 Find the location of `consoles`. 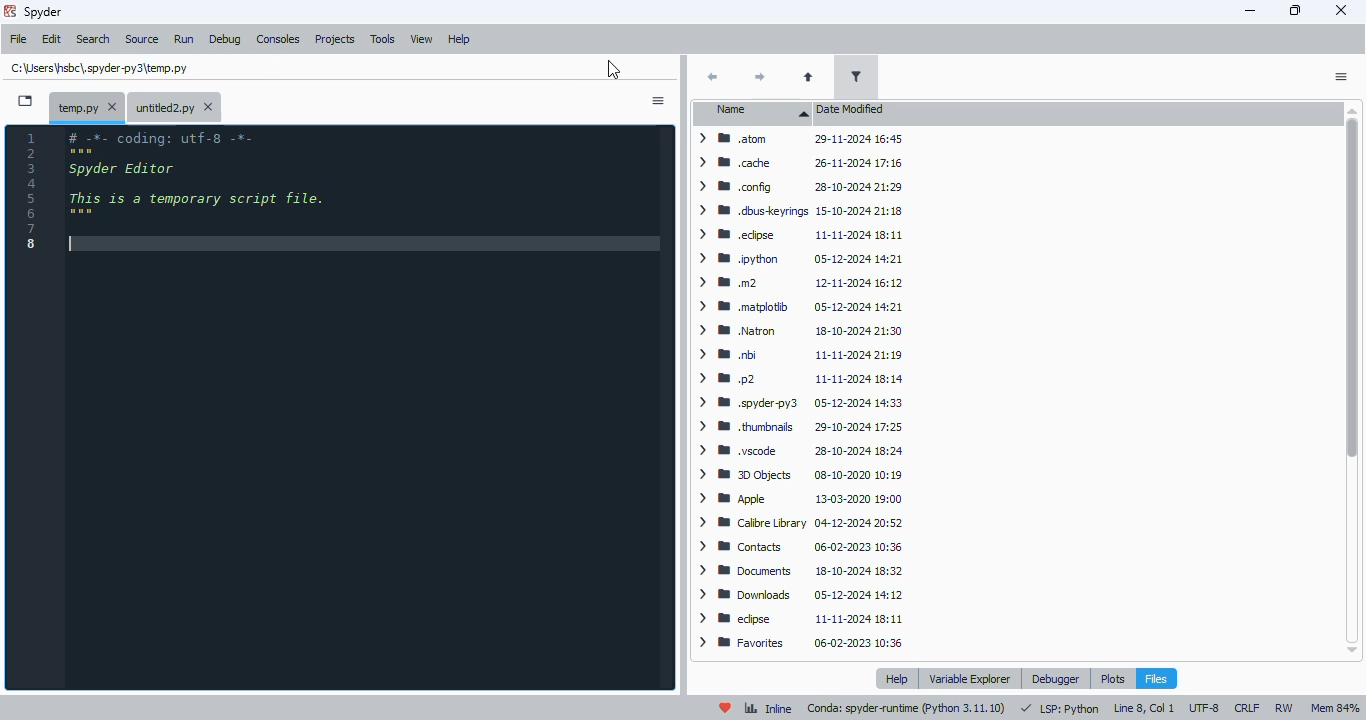

consoles is located at coordinates (278, 39).